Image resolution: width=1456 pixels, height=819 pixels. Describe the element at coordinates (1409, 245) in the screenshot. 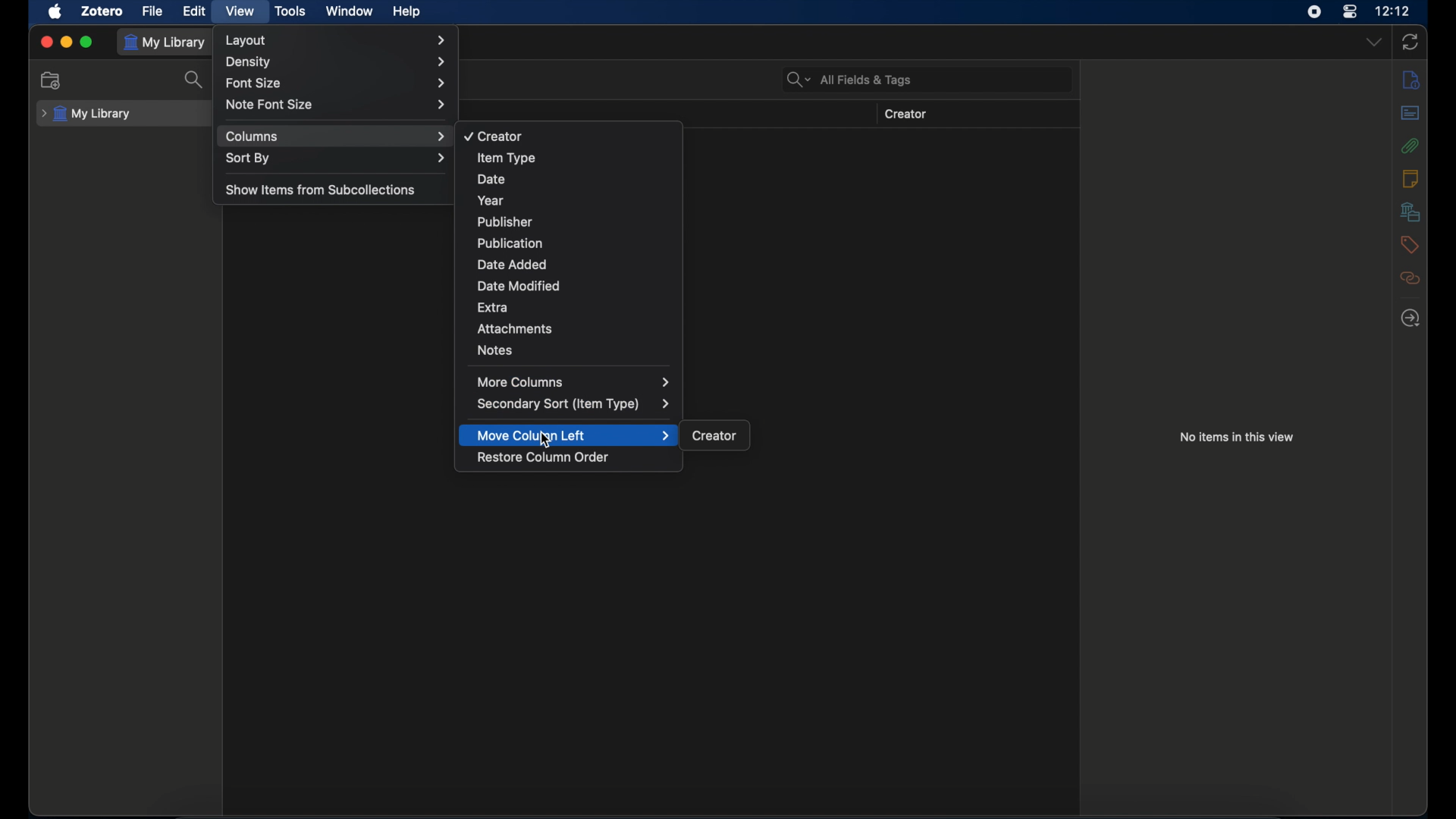

I see `tags` at that location.